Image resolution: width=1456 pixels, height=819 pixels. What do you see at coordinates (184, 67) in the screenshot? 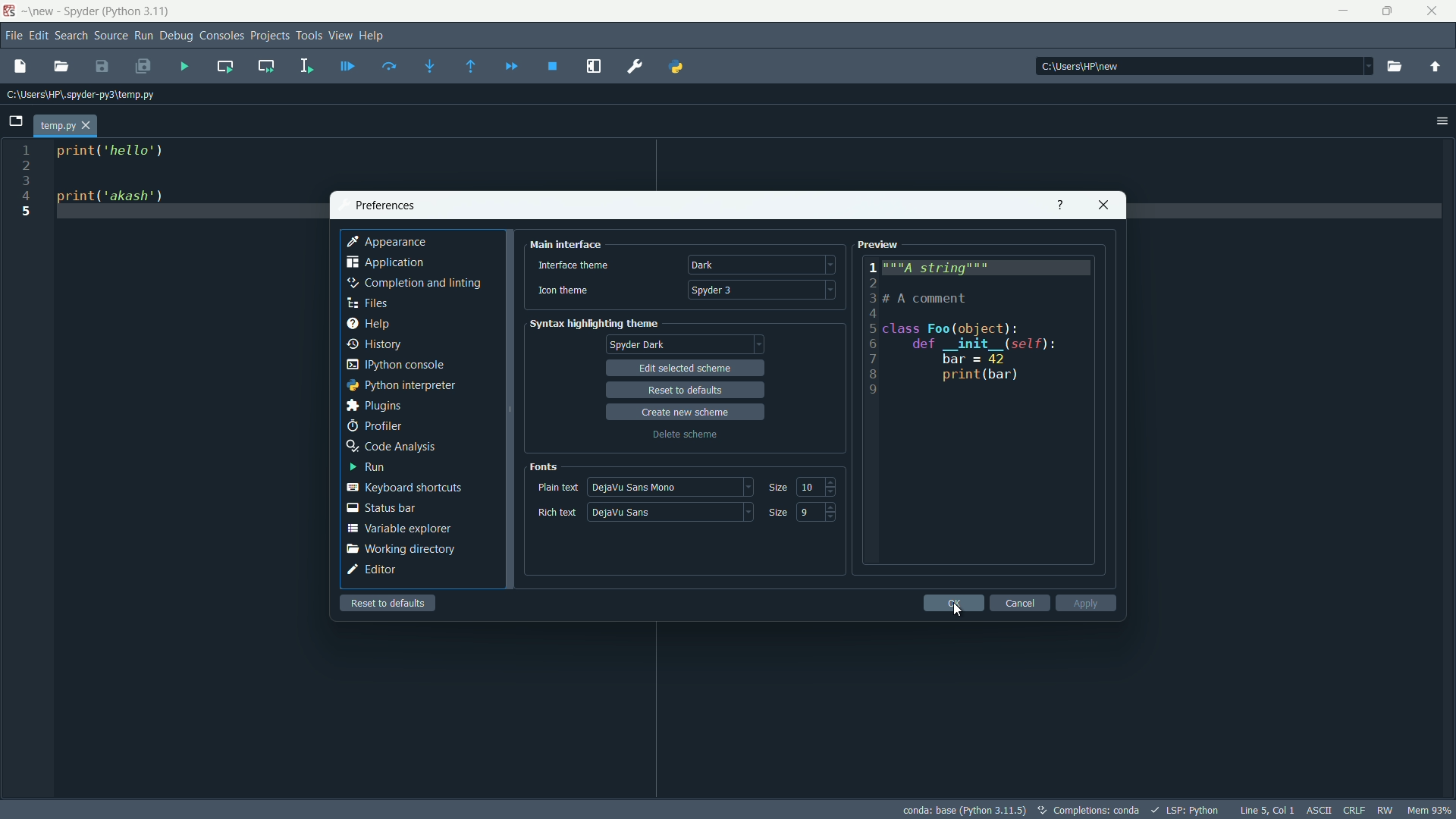
I see `run file` at bounding box center [184, 67].